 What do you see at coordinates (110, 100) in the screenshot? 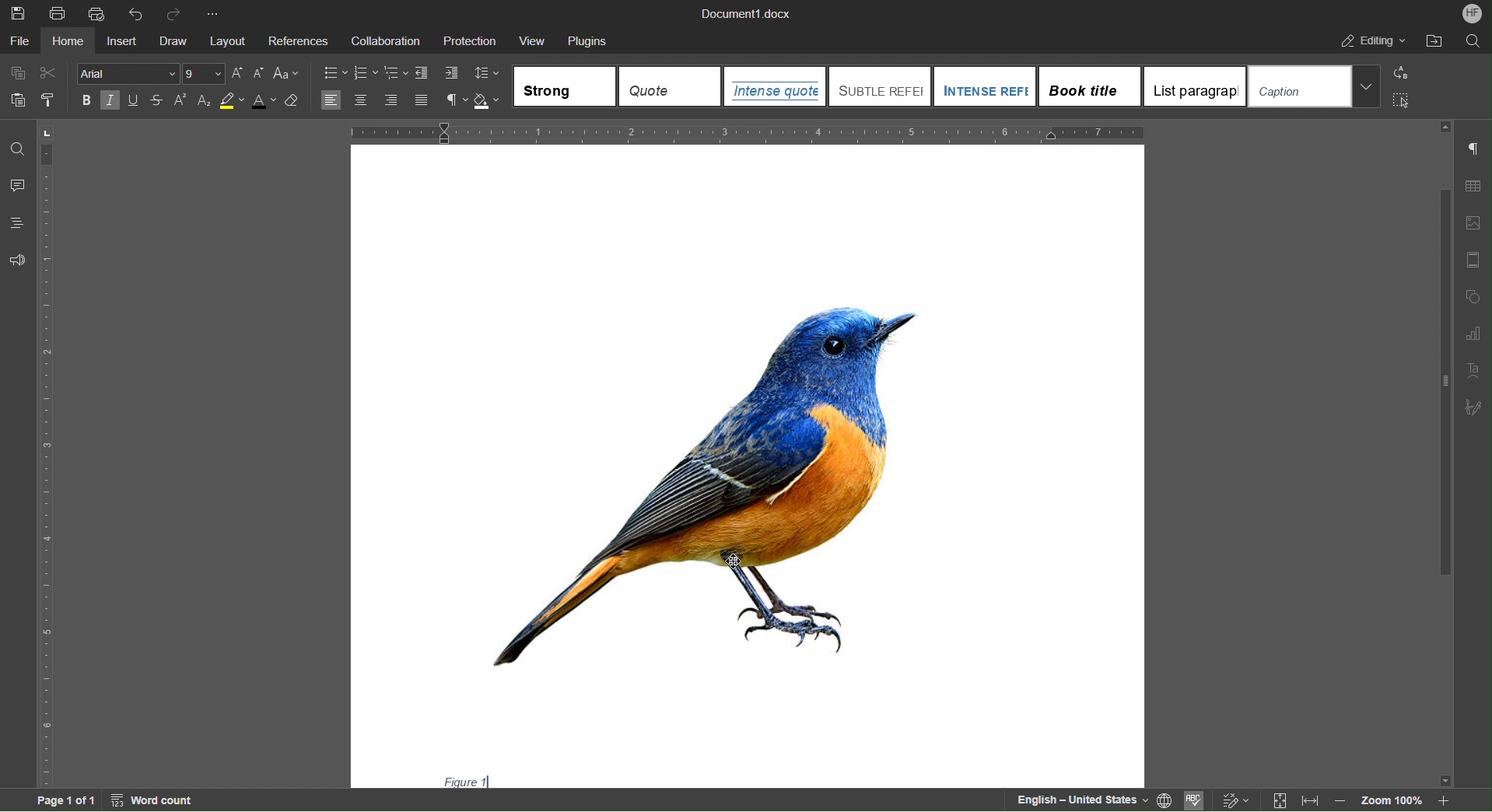
I see `Italic` at bounding box center [110, 100].